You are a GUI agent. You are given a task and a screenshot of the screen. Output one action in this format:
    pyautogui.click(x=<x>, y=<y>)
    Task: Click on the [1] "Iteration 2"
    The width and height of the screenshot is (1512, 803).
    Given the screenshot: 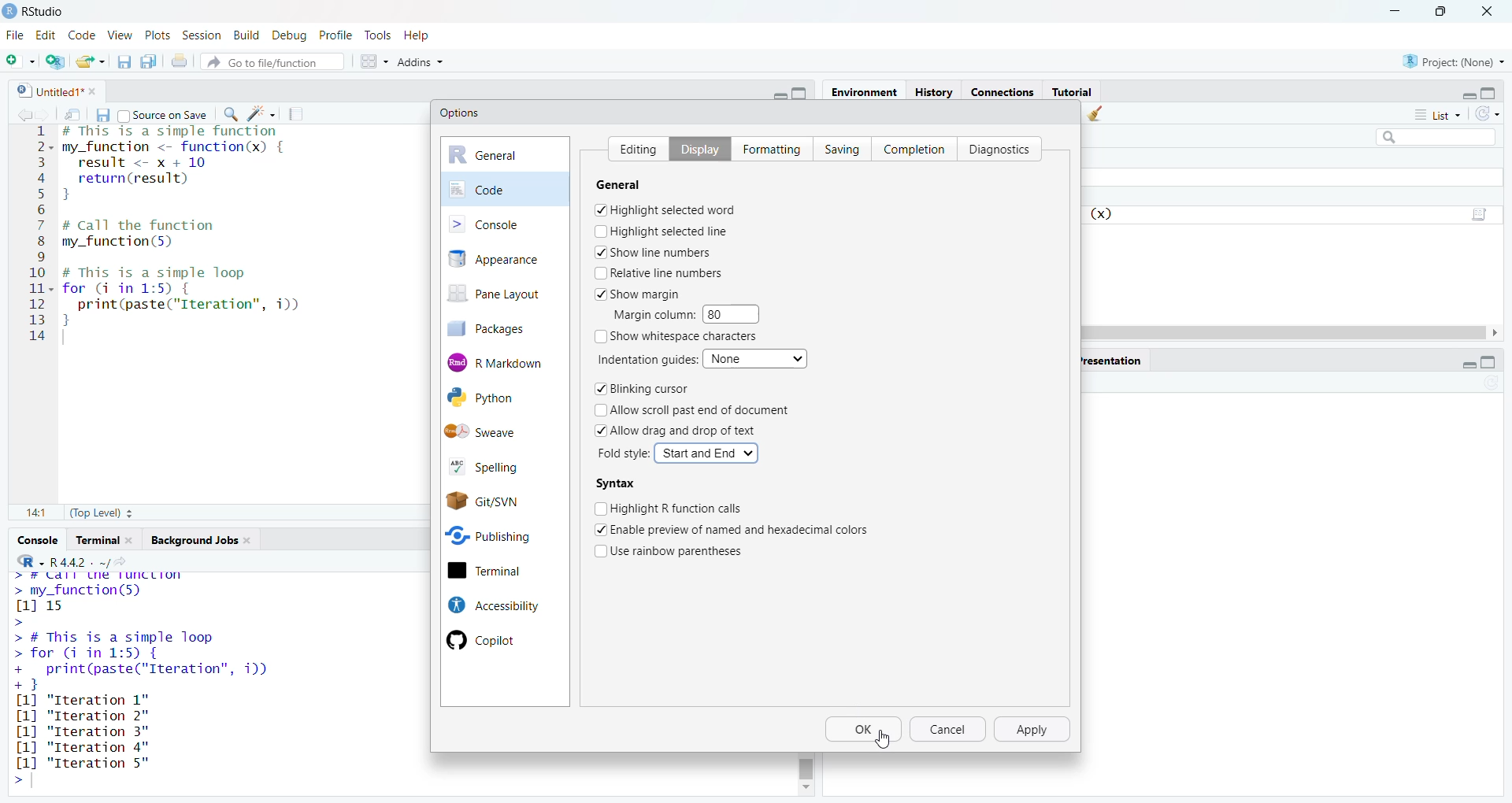 What is the action you would take?
    pyautogui.click(x=86, y=716)
    